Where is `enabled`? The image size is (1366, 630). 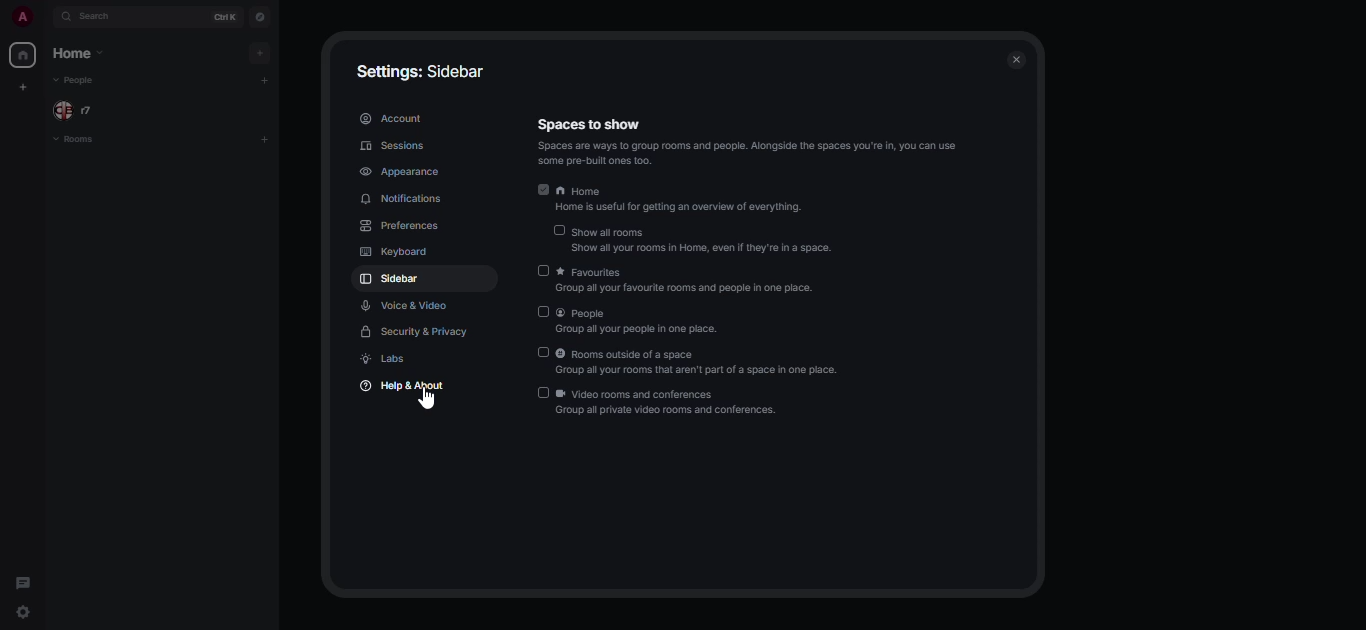
enabled is located at coordinates (540, 186).